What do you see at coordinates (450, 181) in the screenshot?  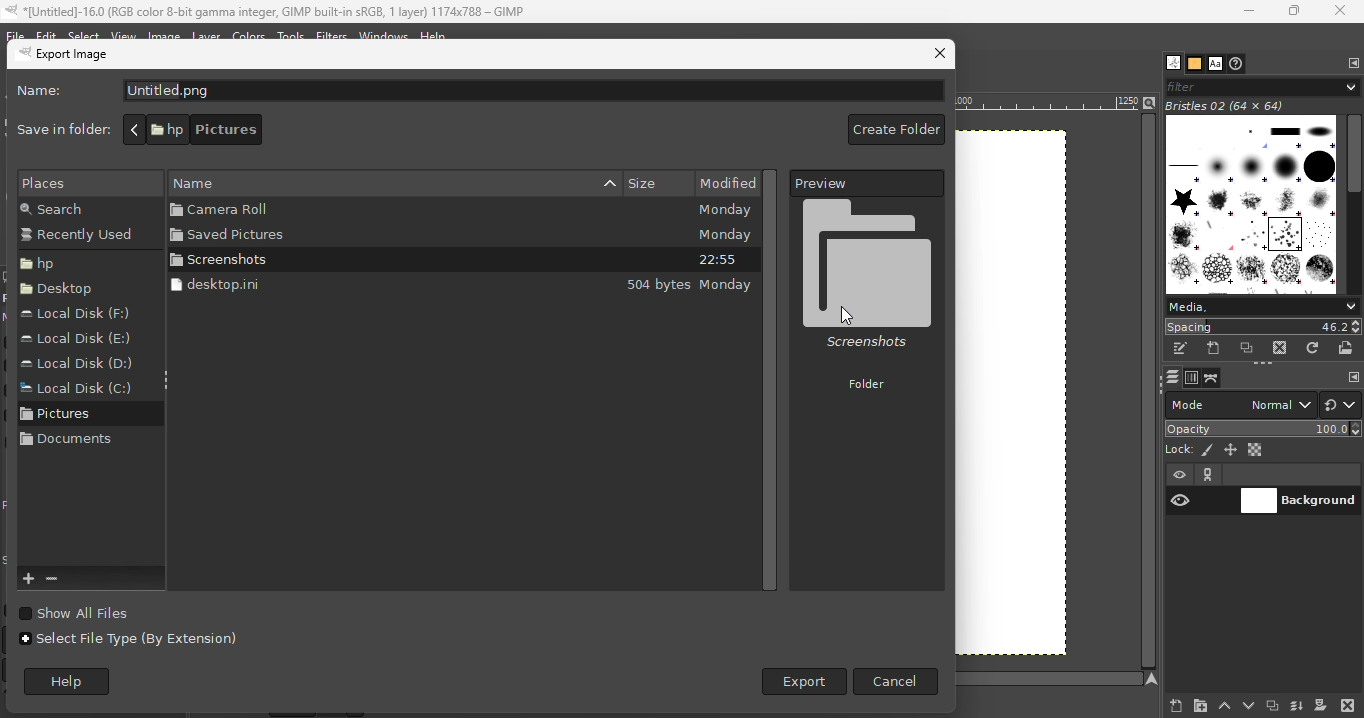 I see `Name` at bounding box center [450, 181].